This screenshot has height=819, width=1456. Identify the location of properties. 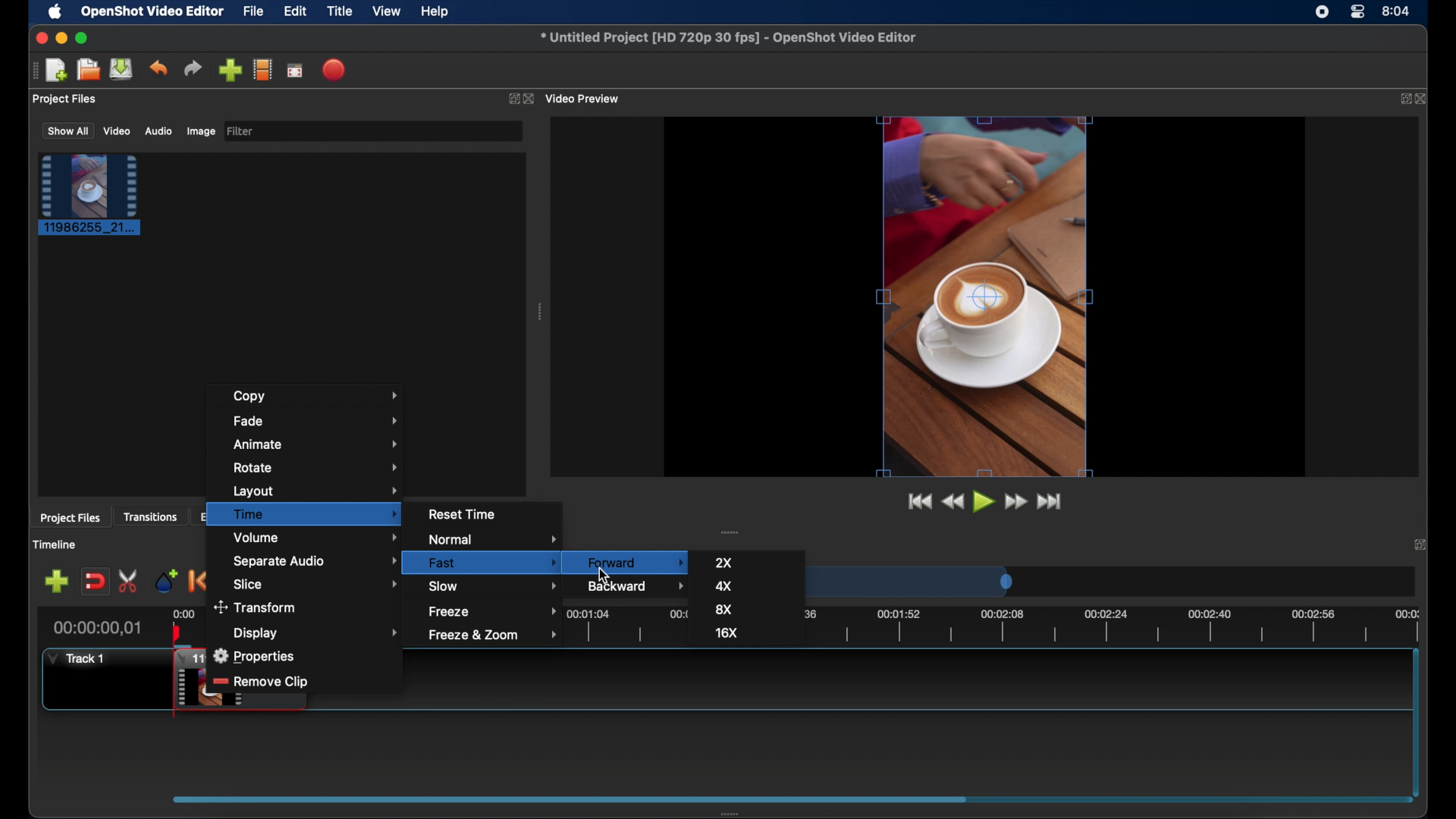
(253, 656).